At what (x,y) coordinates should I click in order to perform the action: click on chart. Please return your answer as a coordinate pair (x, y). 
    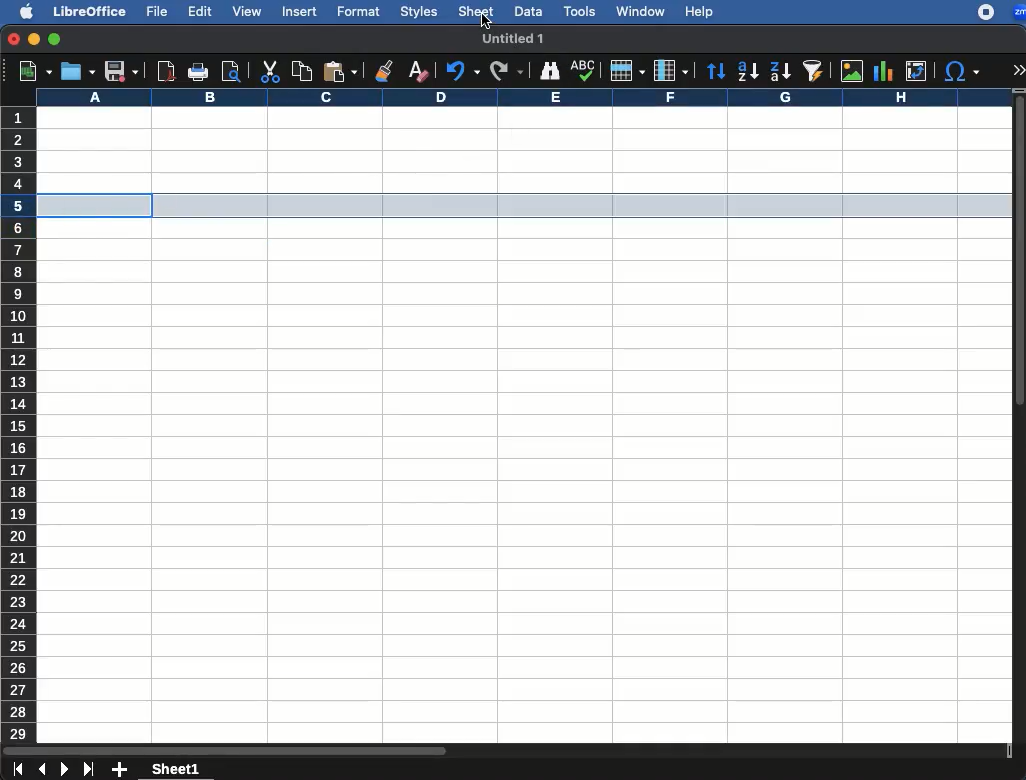
    Looking at the image, I should click on (886, 70).